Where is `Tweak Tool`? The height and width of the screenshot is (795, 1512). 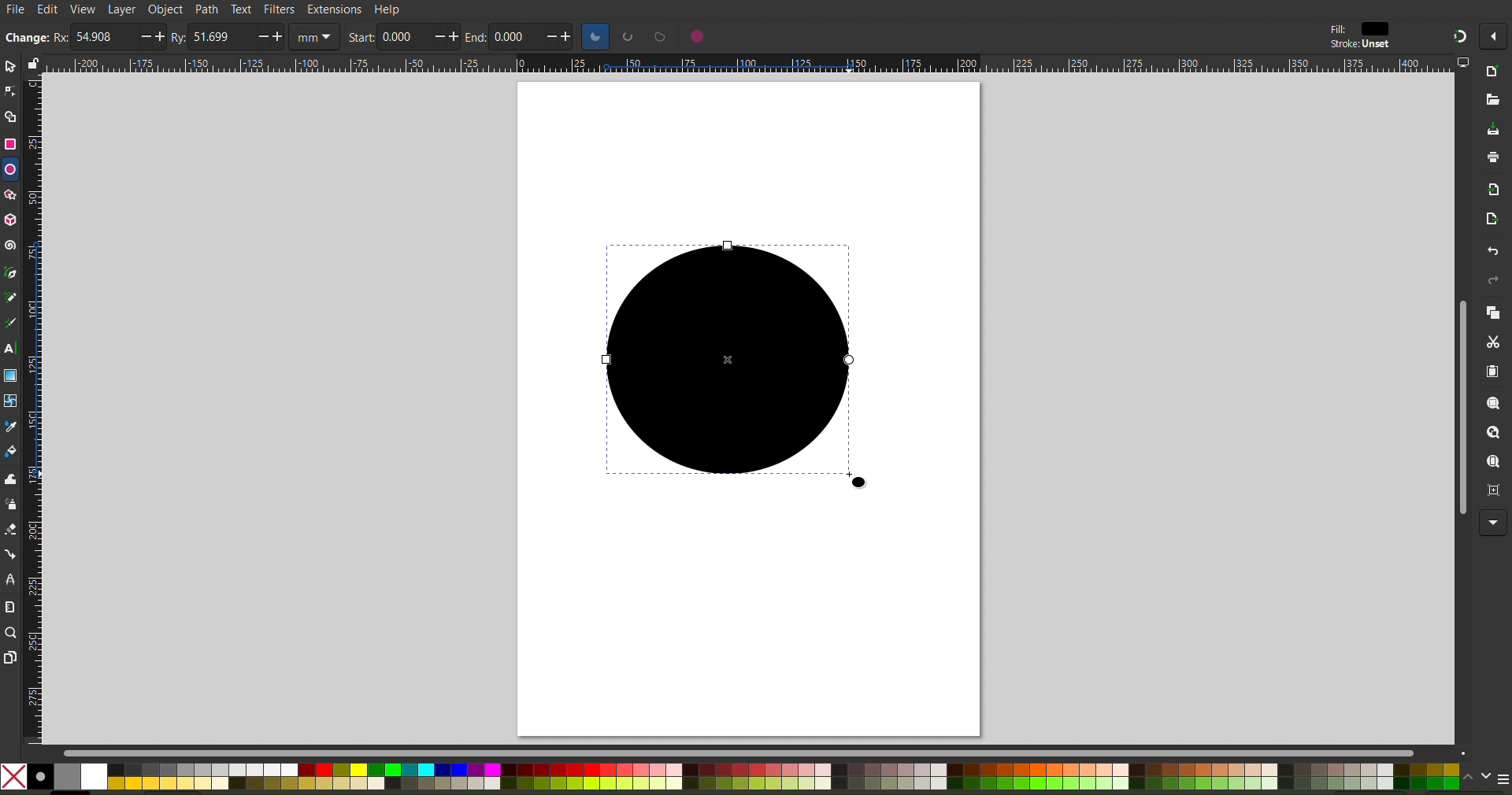 Tweak Tool is located at coordinates (10, 480).